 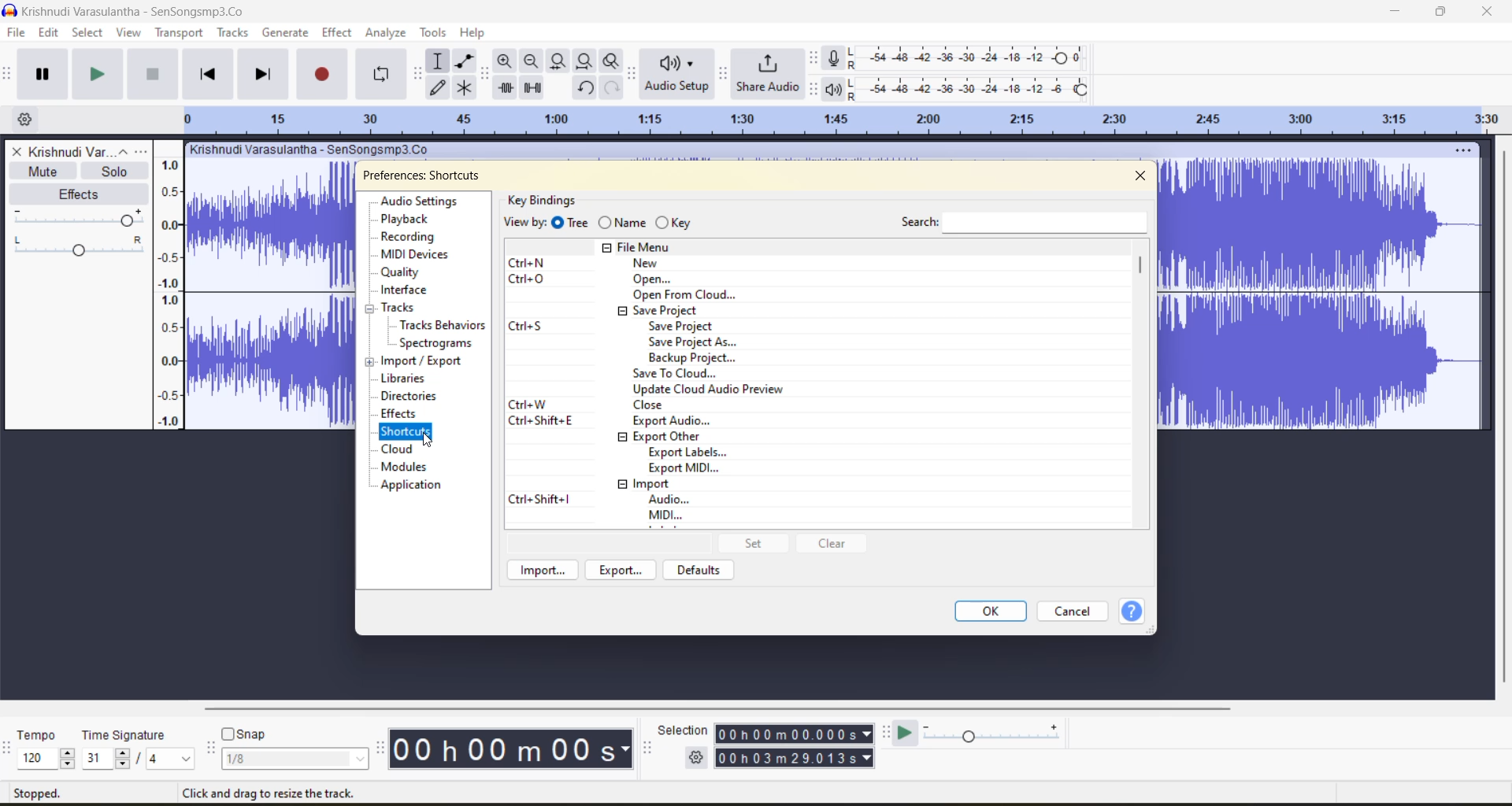 What do you see at coordinates (439, 87) in the screenshot?
I see `draw tool` at bounding box center [439, 87].